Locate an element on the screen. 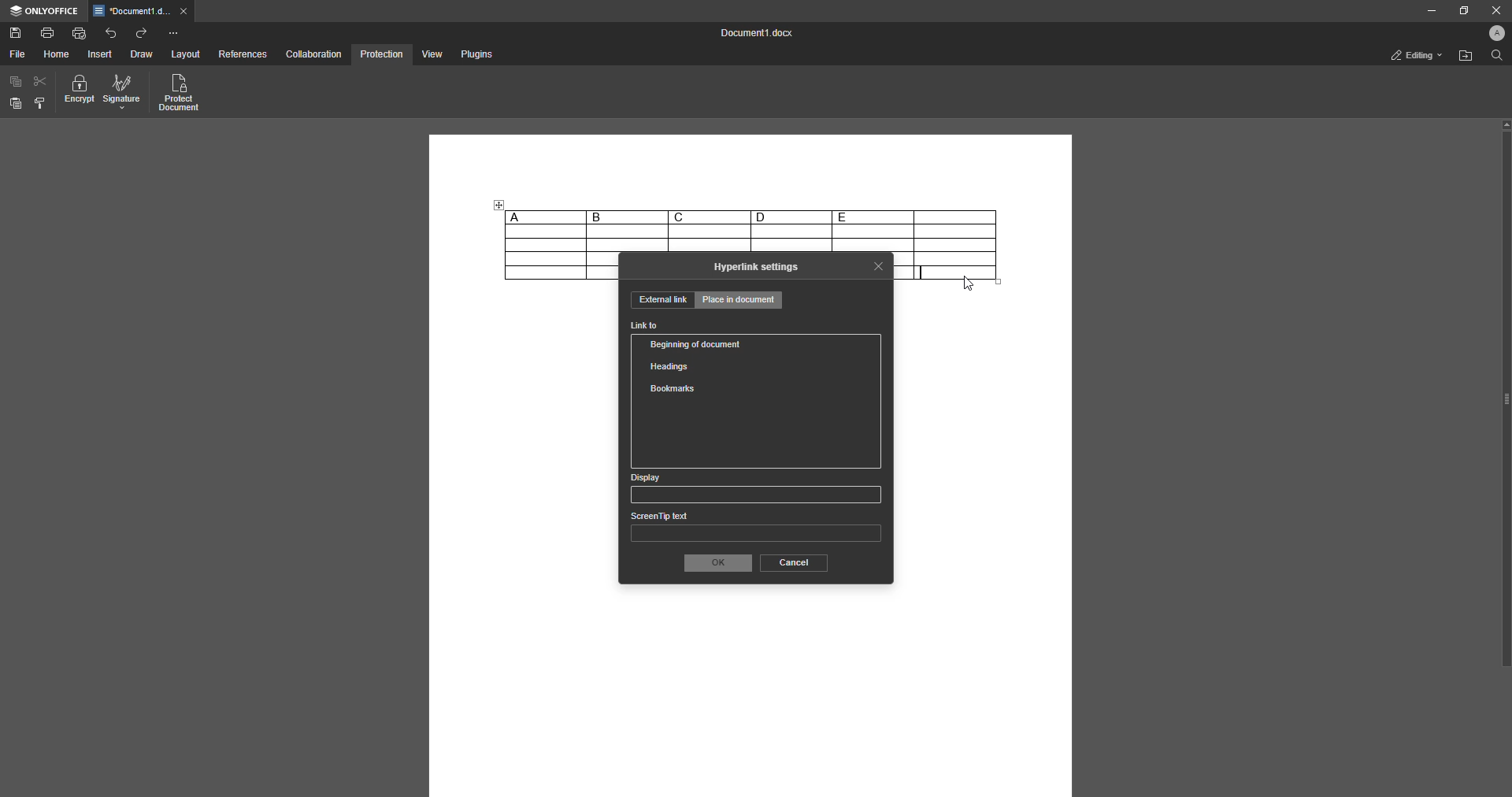  Profile is located at coordinates (1493, 35).